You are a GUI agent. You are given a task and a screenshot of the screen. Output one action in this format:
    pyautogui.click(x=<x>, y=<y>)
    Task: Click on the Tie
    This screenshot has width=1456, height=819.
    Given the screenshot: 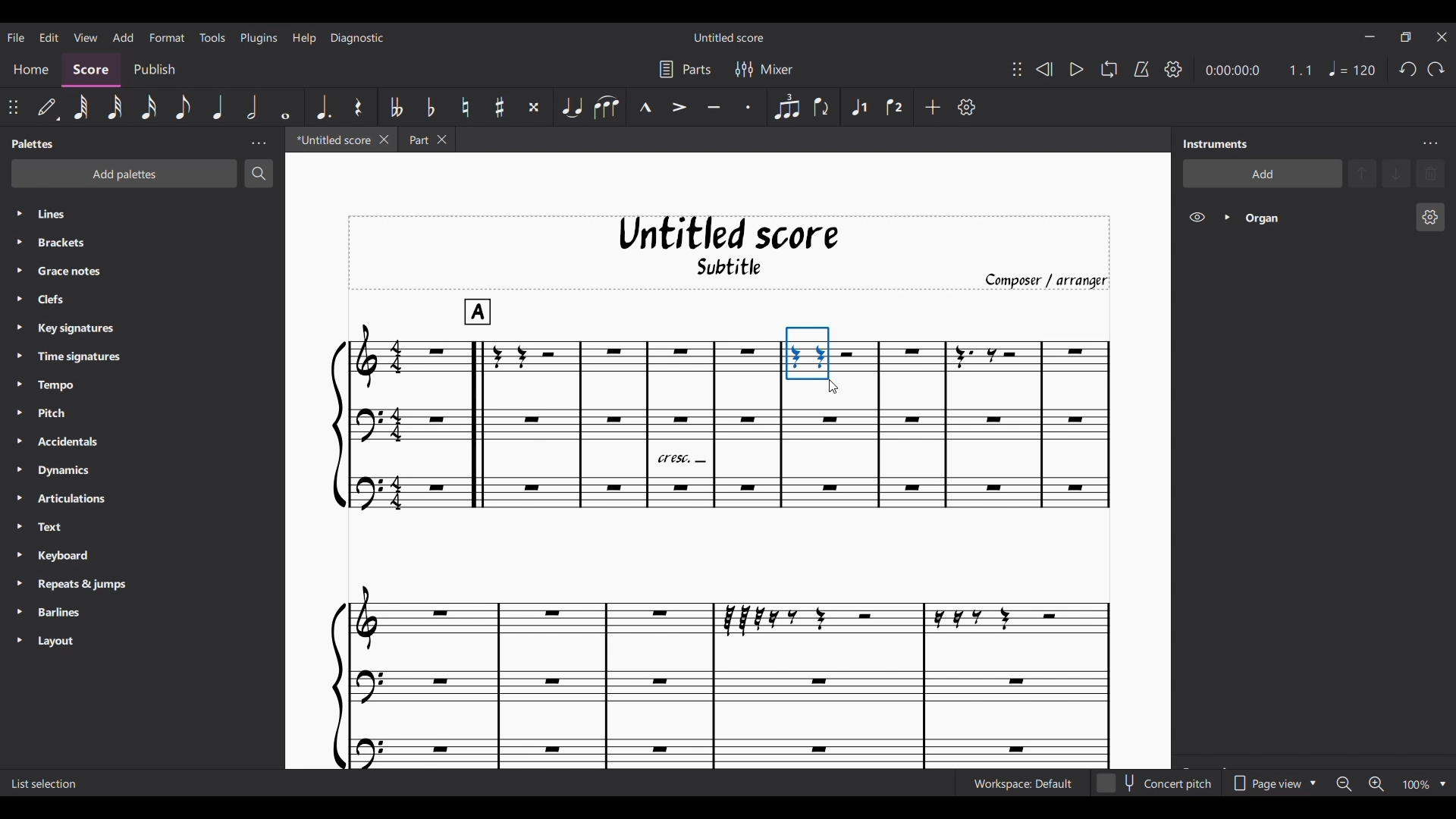 What is the action you would take?
    pyautogui.click(x=572, y=107)
    